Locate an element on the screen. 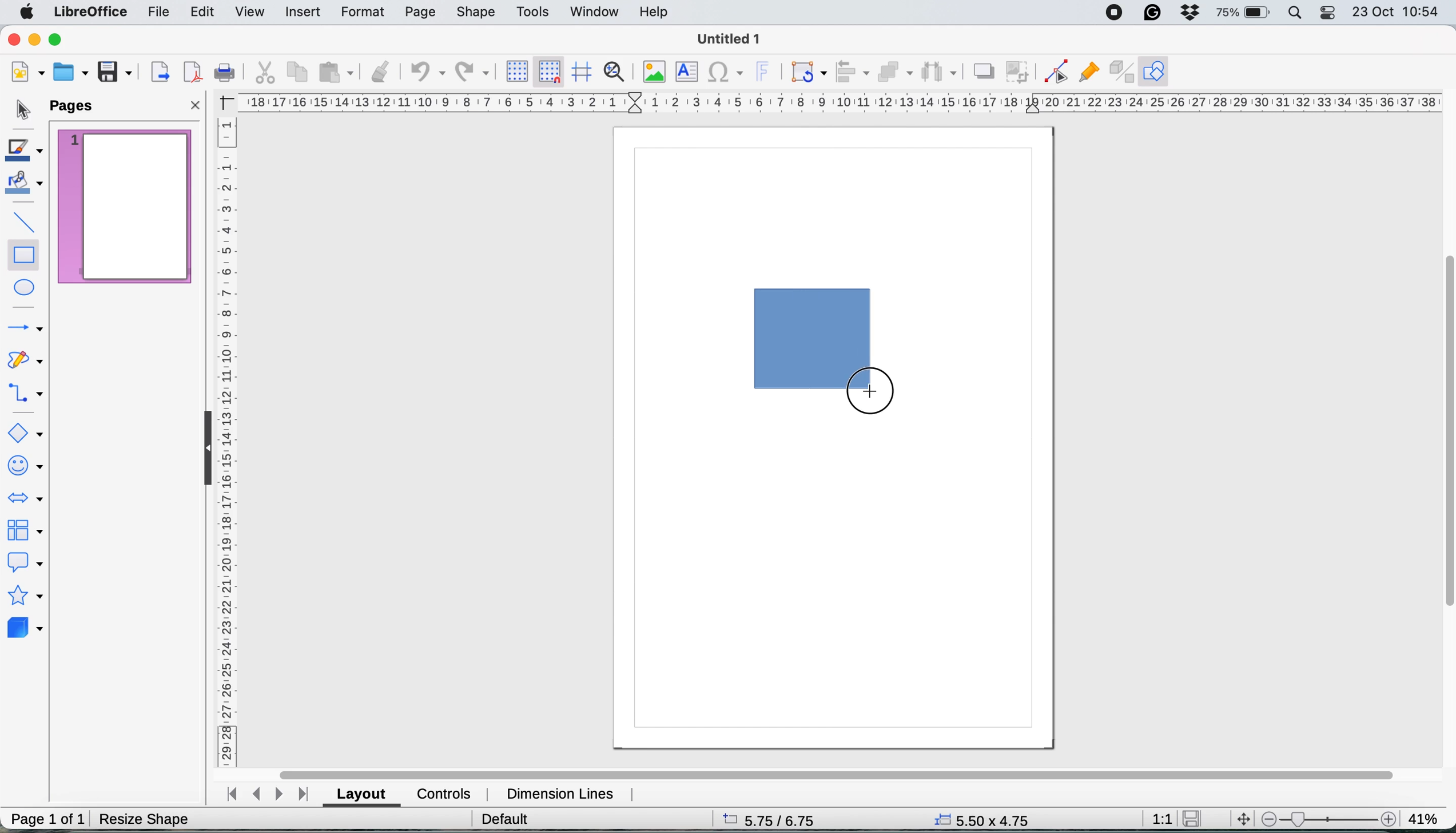  move is located at coordinates (1244, 819).